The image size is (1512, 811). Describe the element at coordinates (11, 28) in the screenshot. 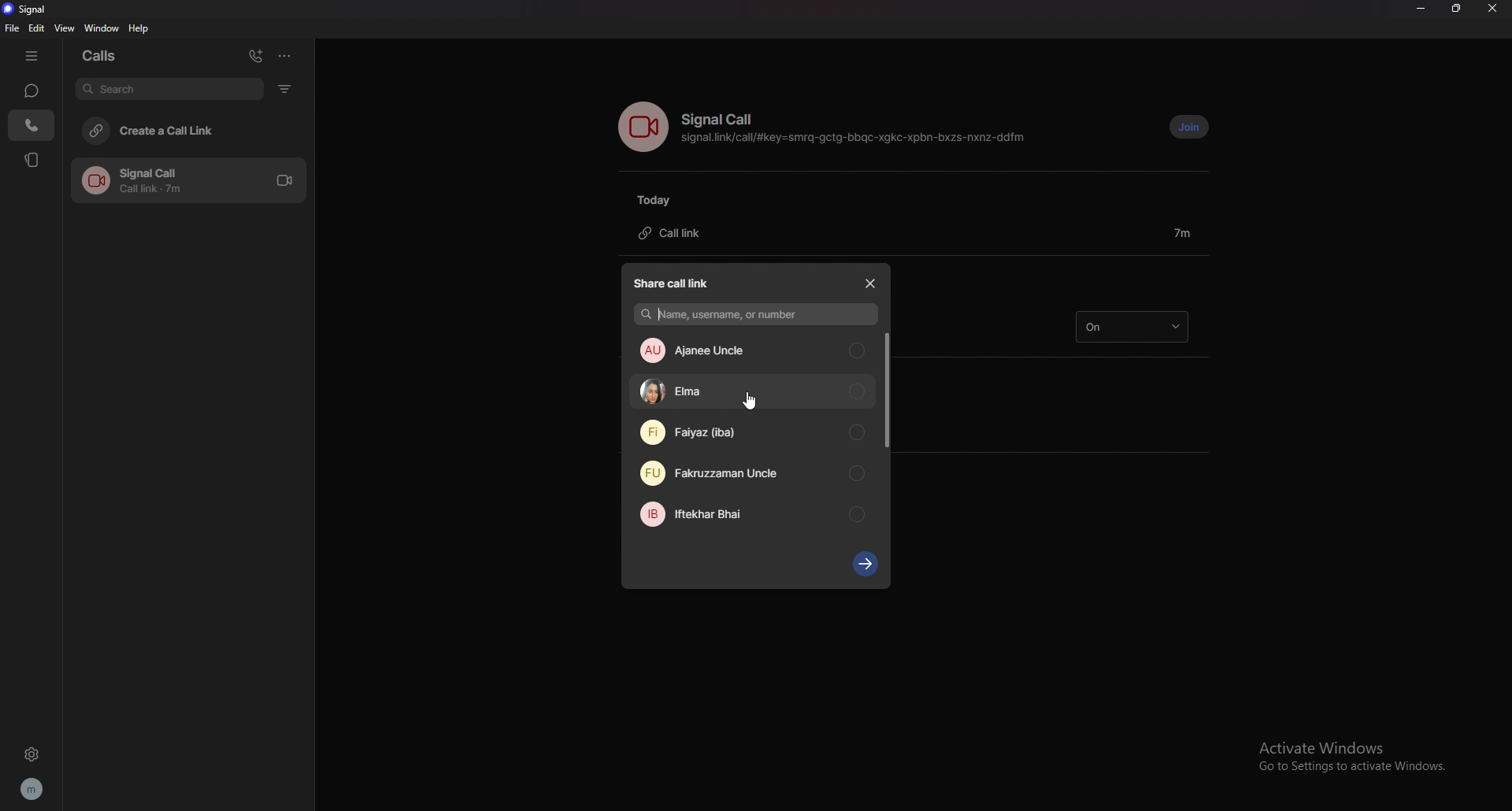

I see `file` at that location.